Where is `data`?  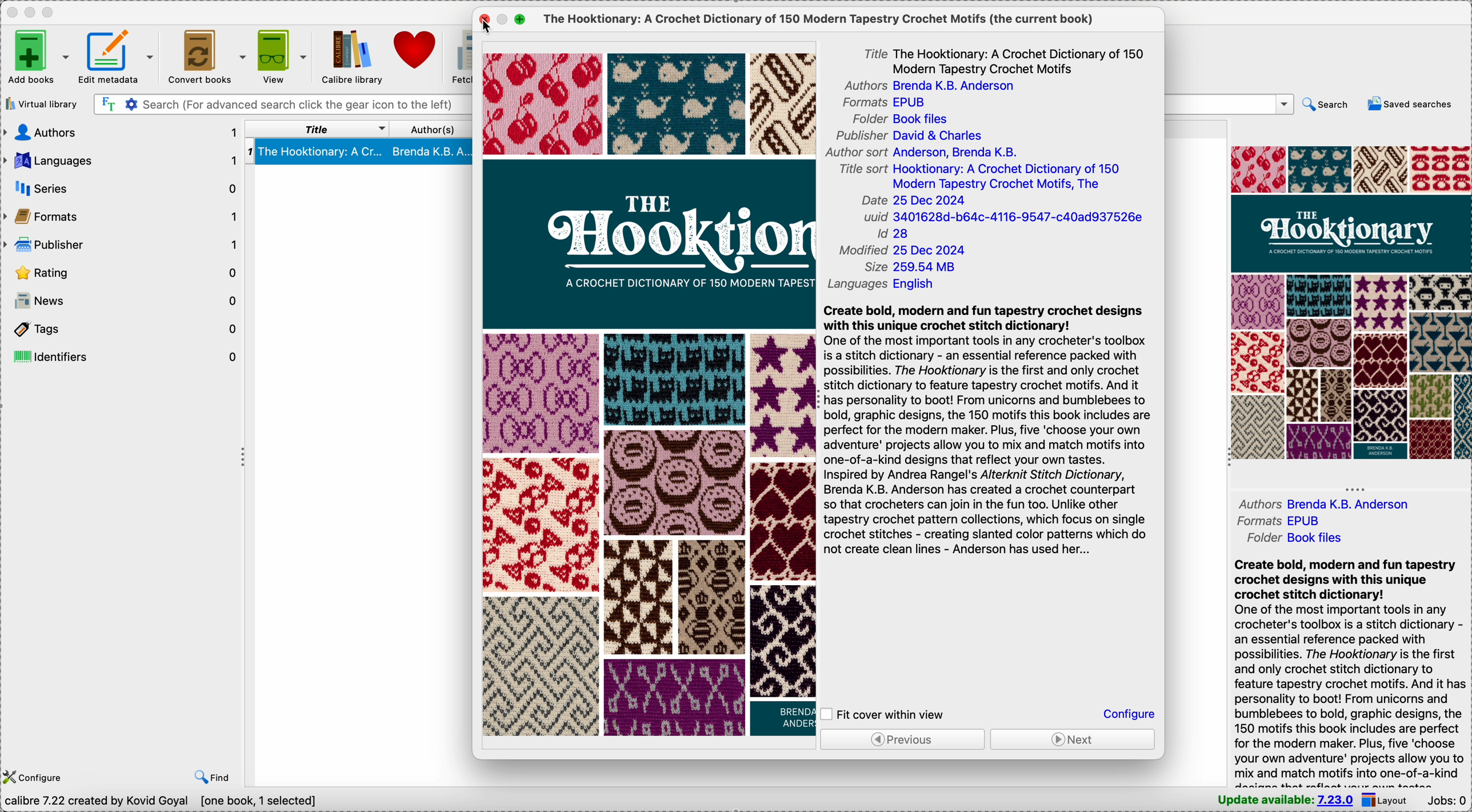
data is located at coordinates (164, 802).